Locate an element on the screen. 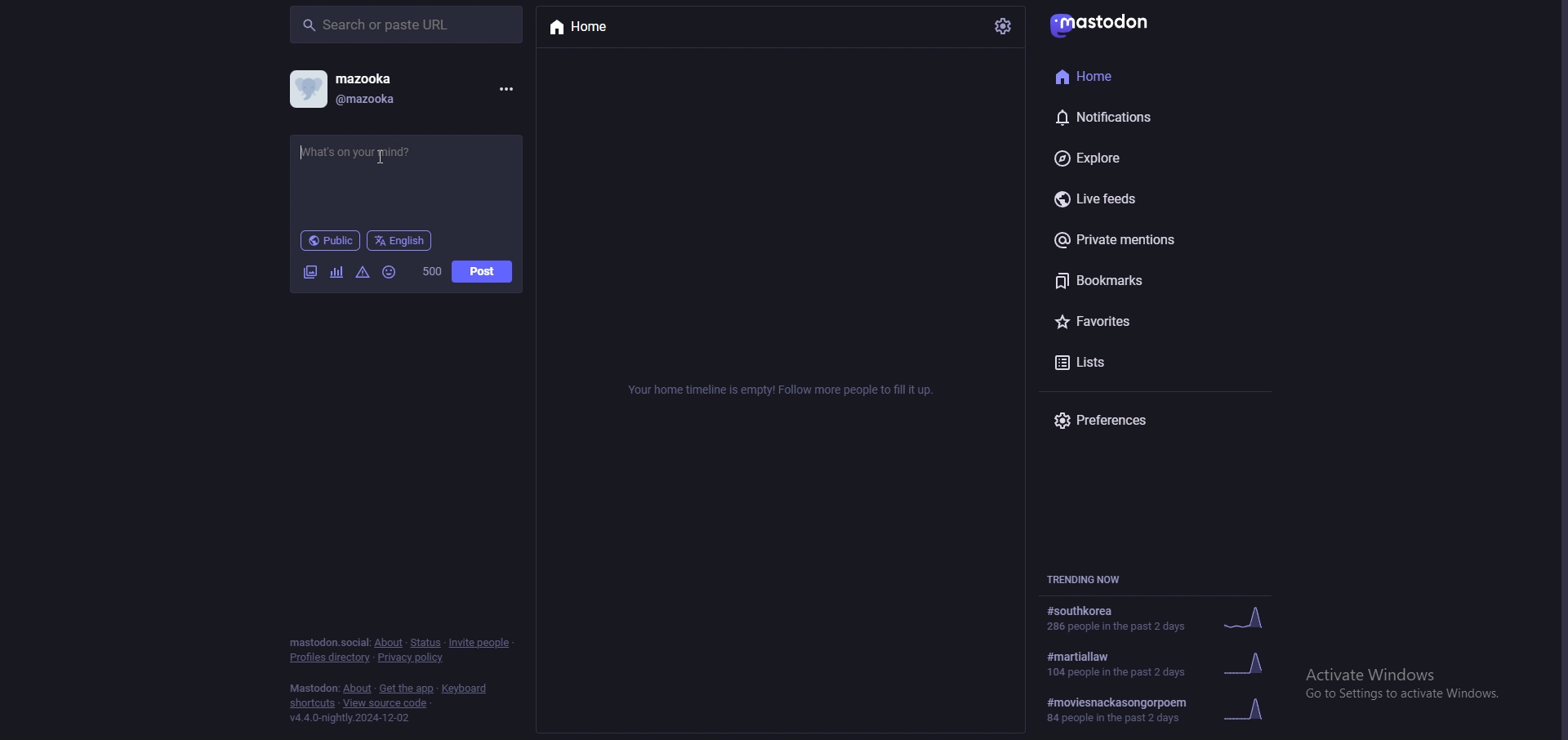 The width and height of the screenshot is (1568, 740). post input: what's on your mind? is located at coordinates (407, 176).